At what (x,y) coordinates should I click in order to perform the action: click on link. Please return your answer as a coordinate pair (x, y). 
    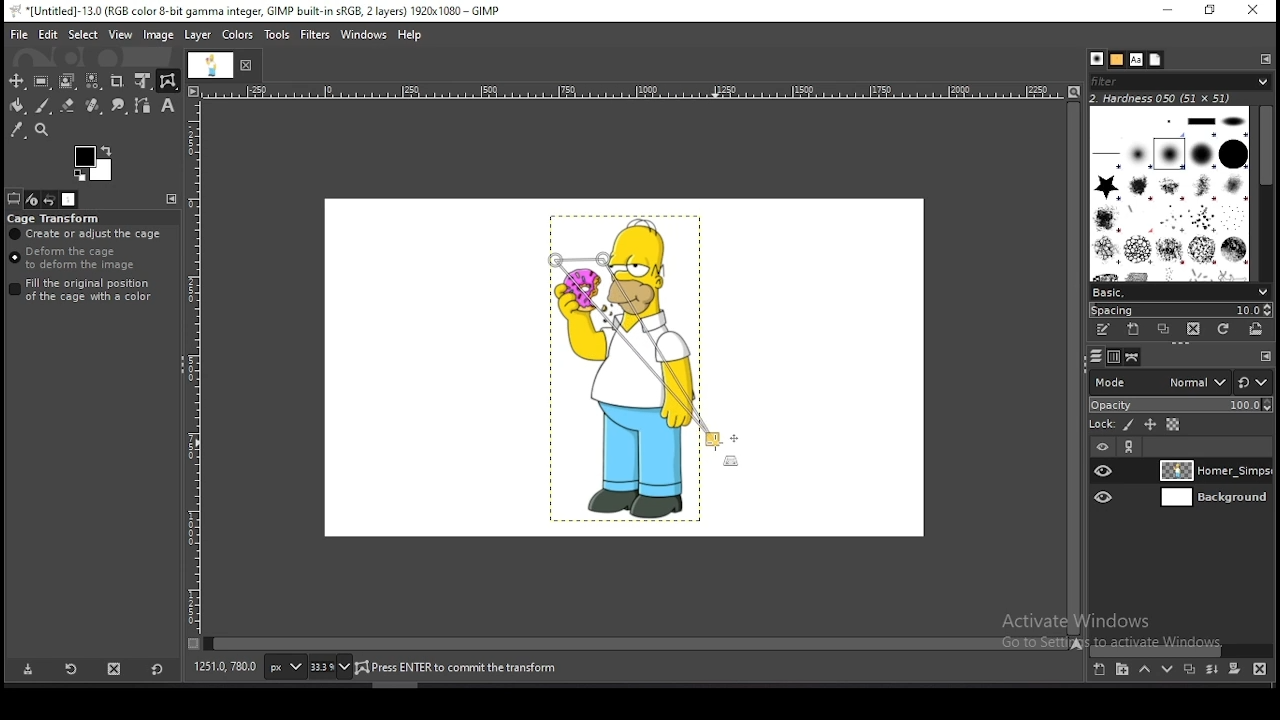
    Looking at the image, I should click on (1131, 448).